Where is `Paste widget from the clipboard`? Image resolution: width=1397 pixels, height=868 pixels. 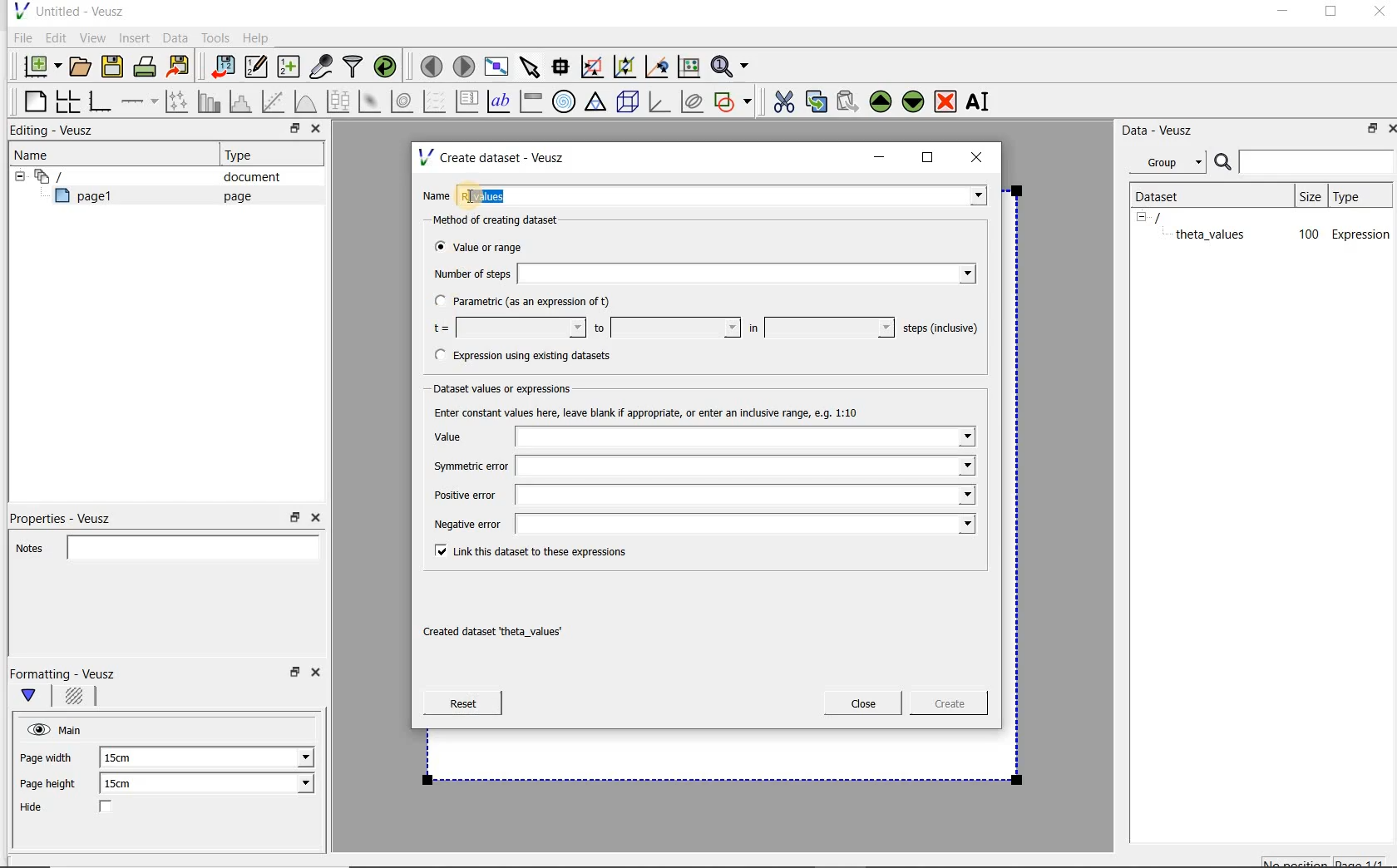 Paste widget from the clipboard is located at coordinates (850, 101).